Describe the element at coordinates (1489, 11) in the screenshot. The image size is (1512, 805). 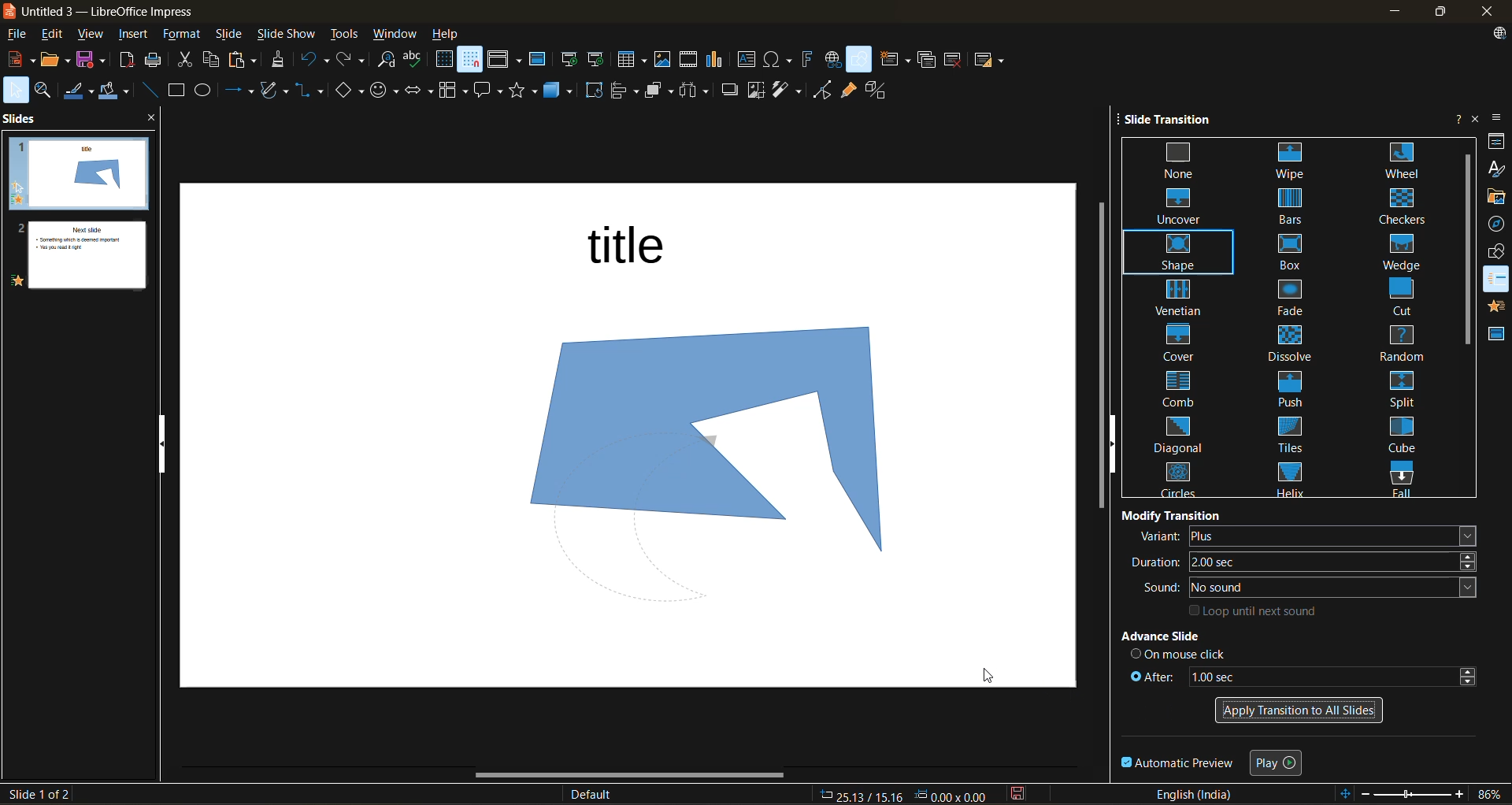
I see `close` at that location.